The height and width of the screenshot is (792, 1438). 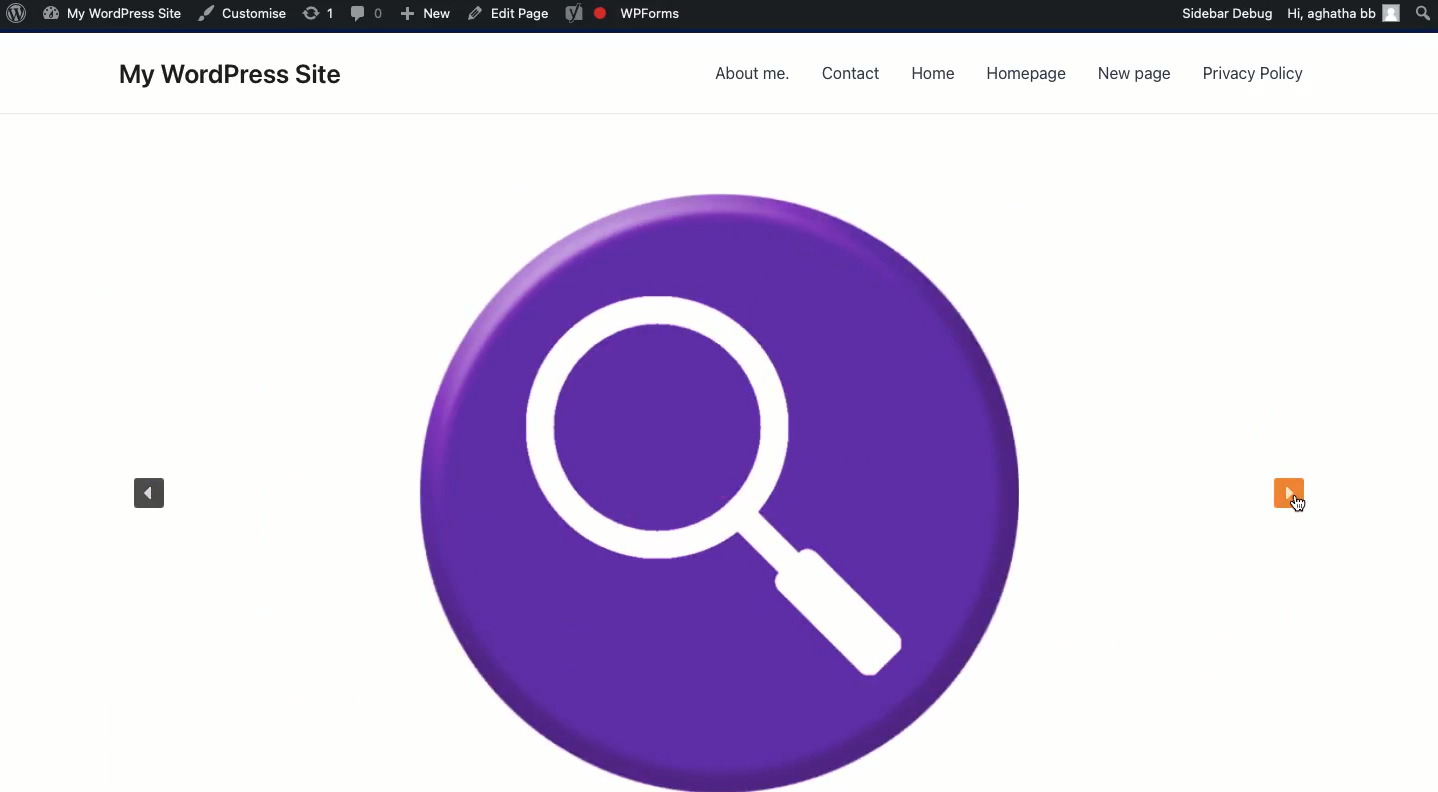 I want to click on Contact, so click(x=852, y=74).